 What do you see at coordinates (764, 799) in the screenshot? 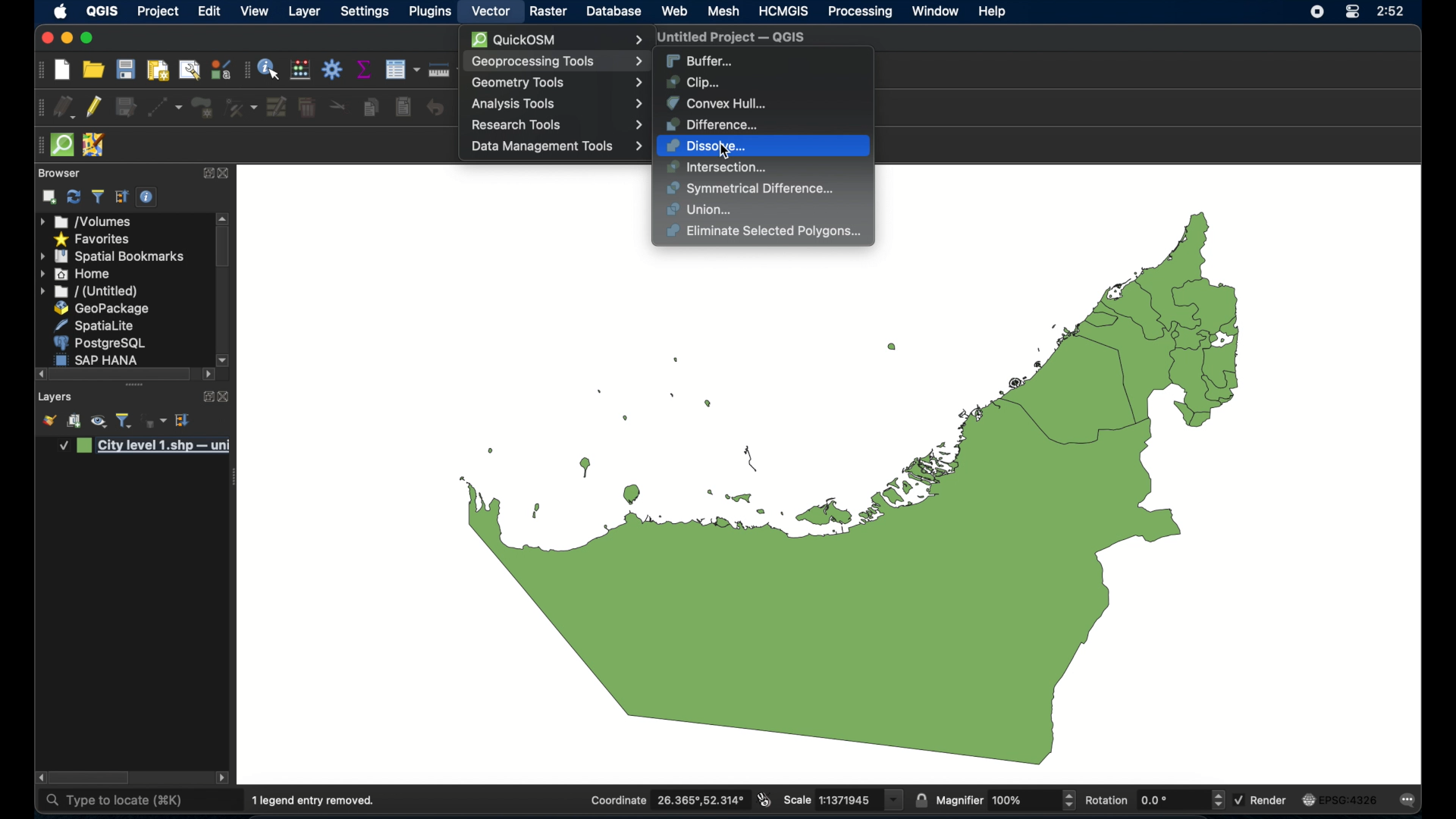
I see `toggle extents and mouse display position` at bounding box center [764, 799].